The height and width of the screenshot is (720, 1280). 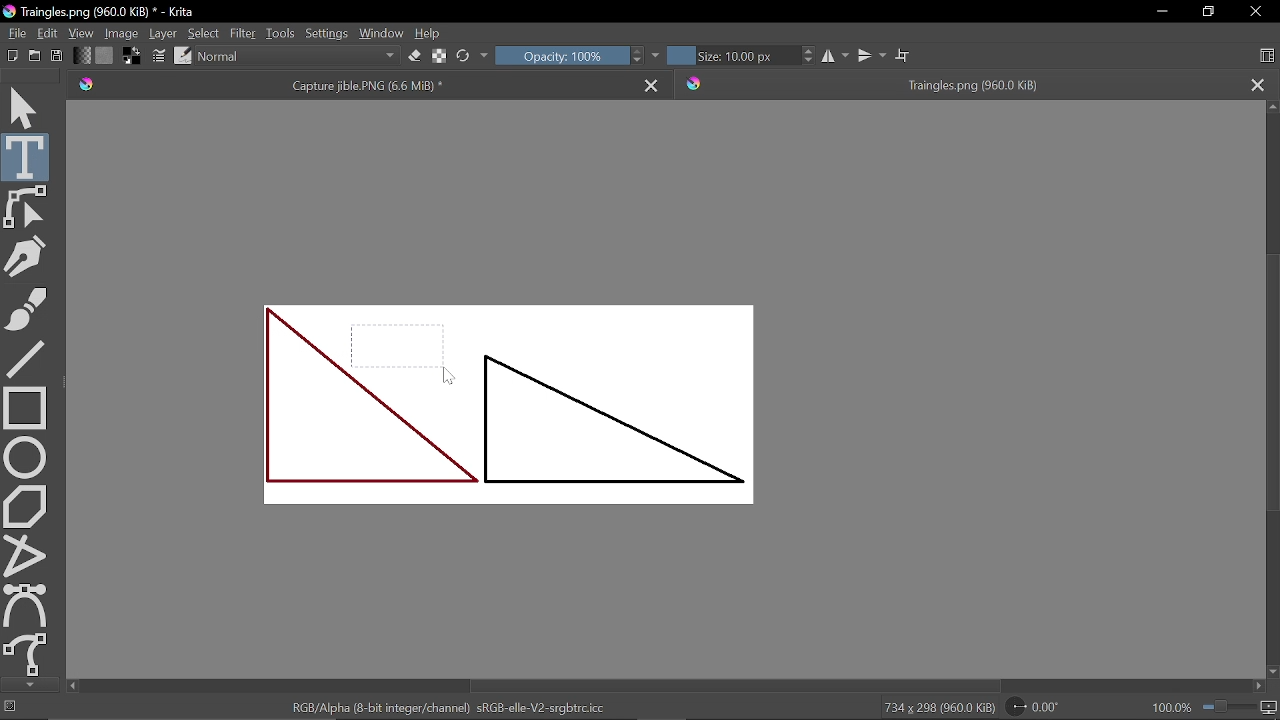 I want to click on Freehand brush tool, so click(x=26, y=306).